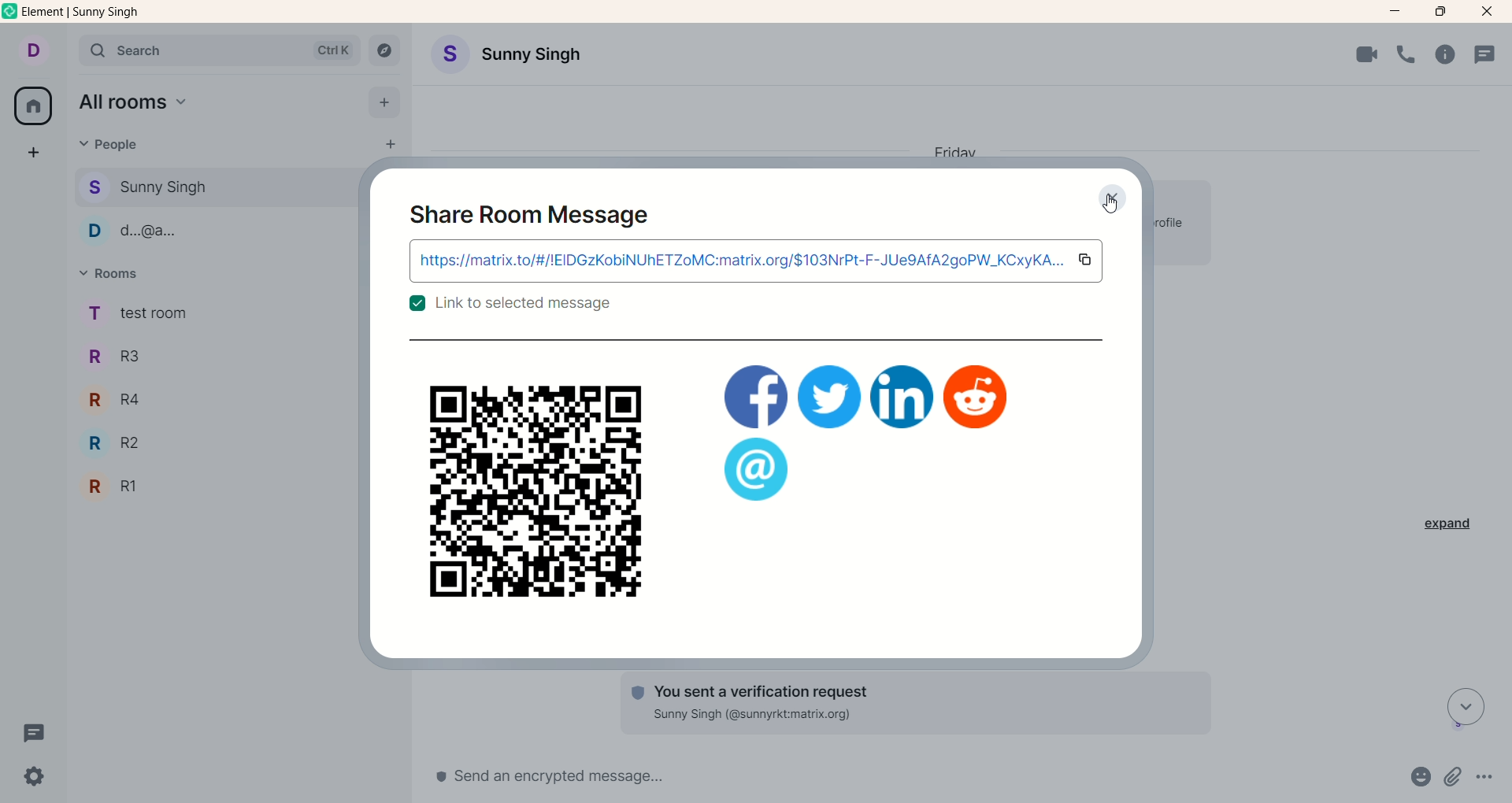 The image size is (1512, 803). I want to click on room info, so click(1449, 55).